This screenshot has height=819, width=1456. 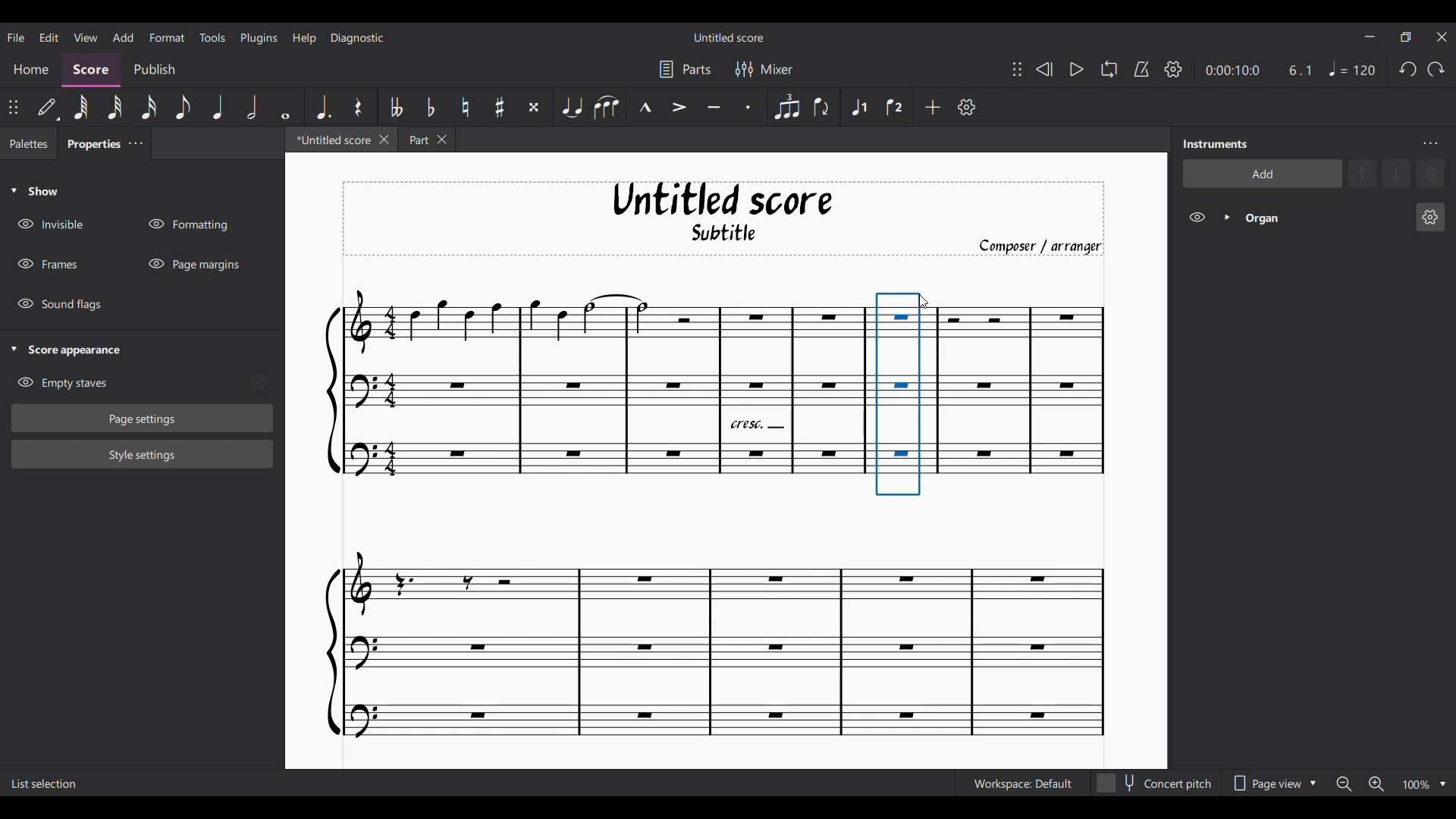 What do you see at coordinates (123, 36) in the screenshot?
I see `Add menu` at bounding box center [123, 36].